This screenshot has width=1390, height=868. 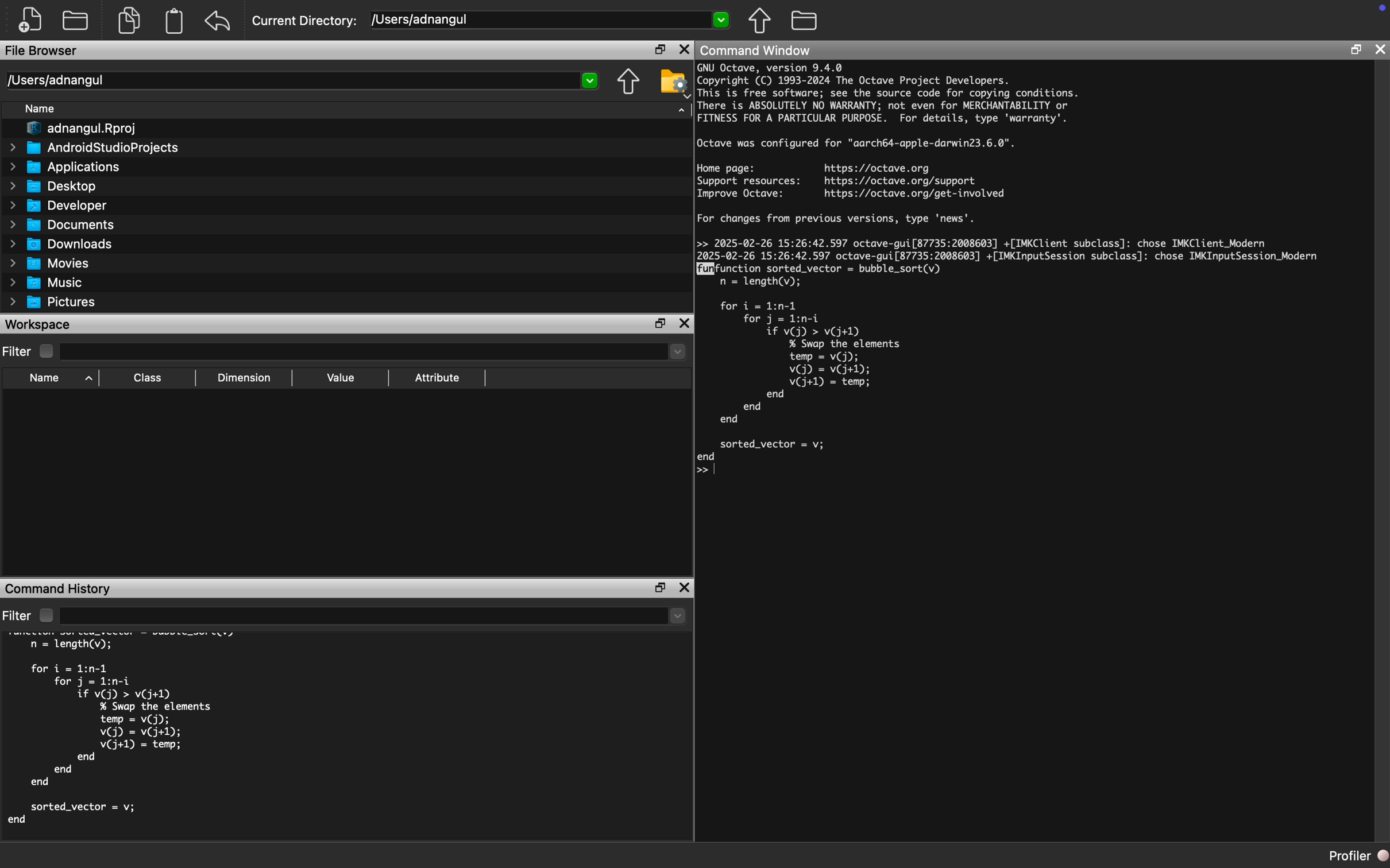 I want to click on Close, so click(x=685, y=588).